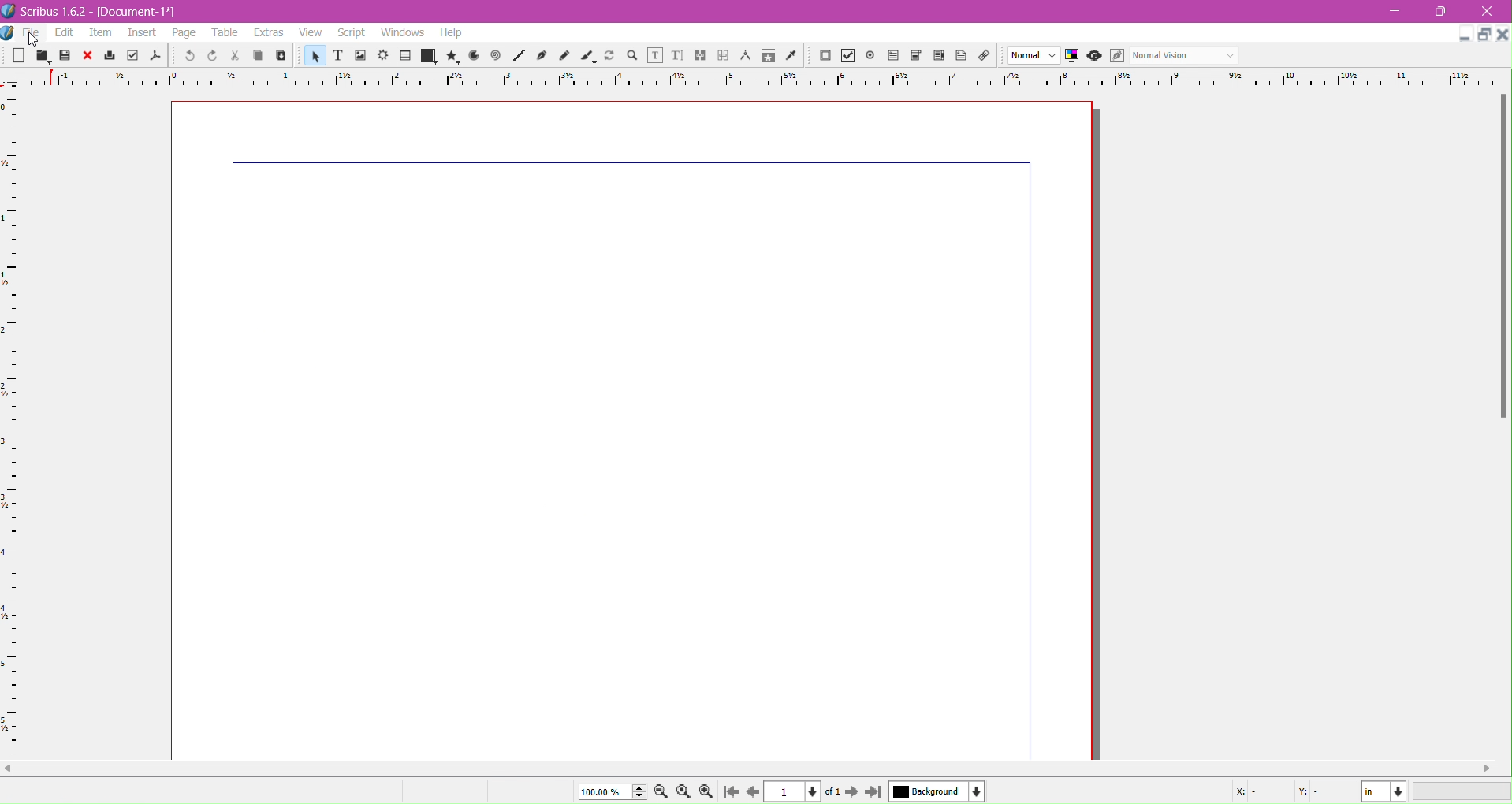  Describe the element at coordinates (1395, 12) in the screenshot. I see `minimize` at that location.